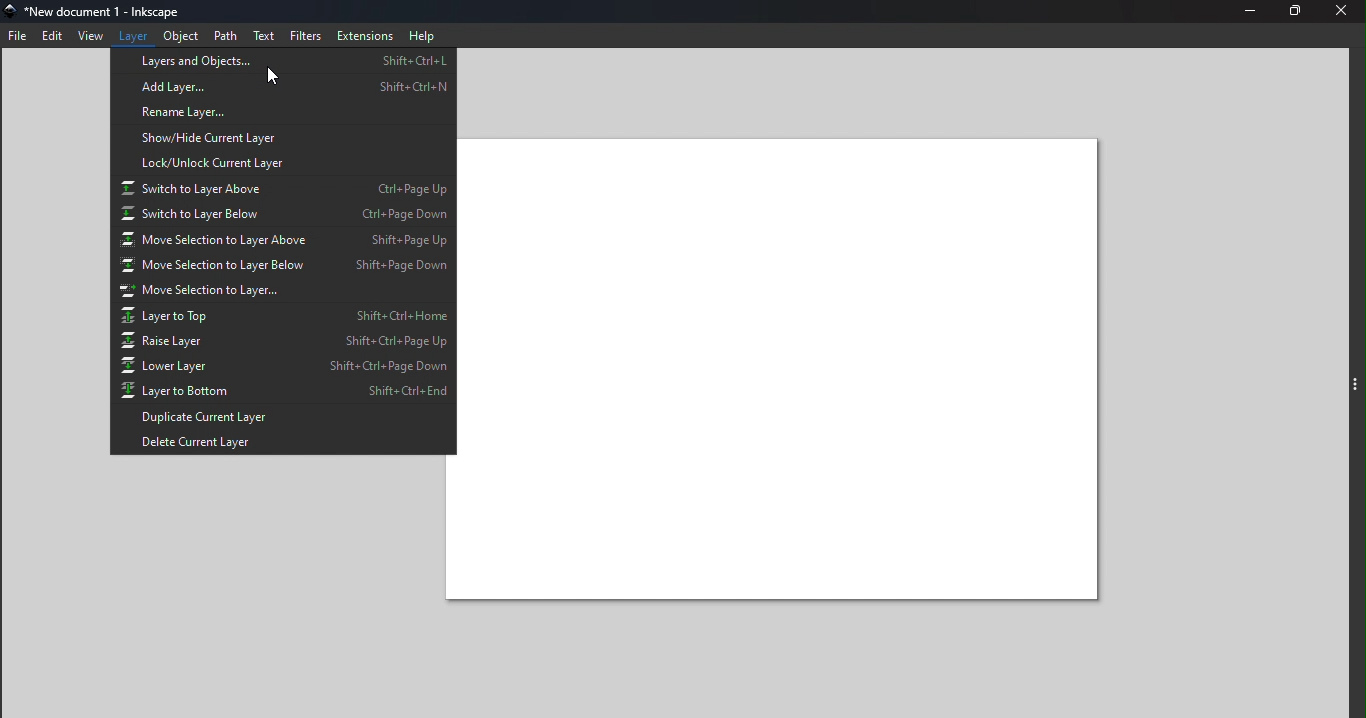  I want to click on Layers and objects, so click(284, 64).